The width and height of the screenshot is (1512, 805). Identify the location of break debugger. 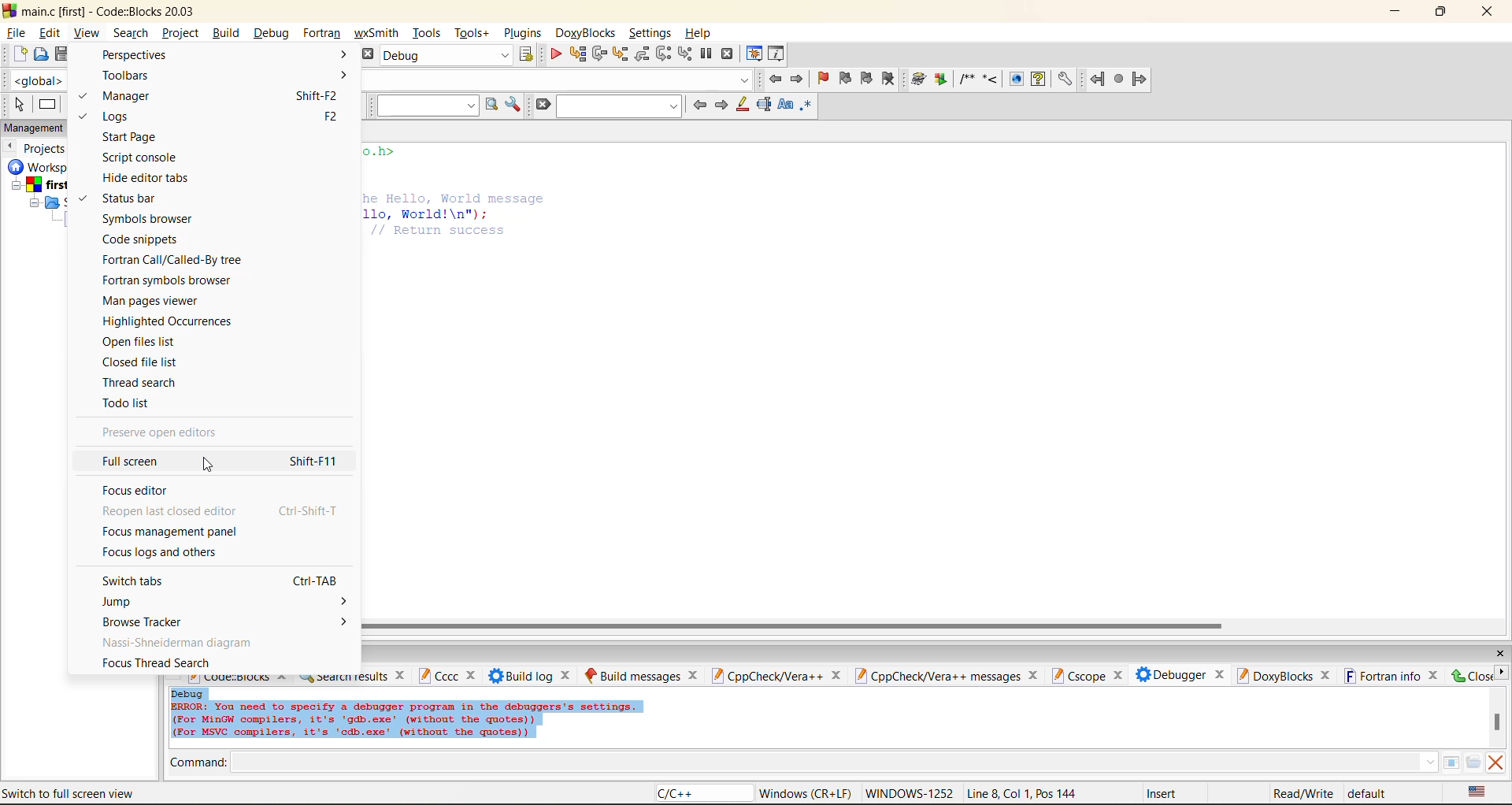
(707, 56).